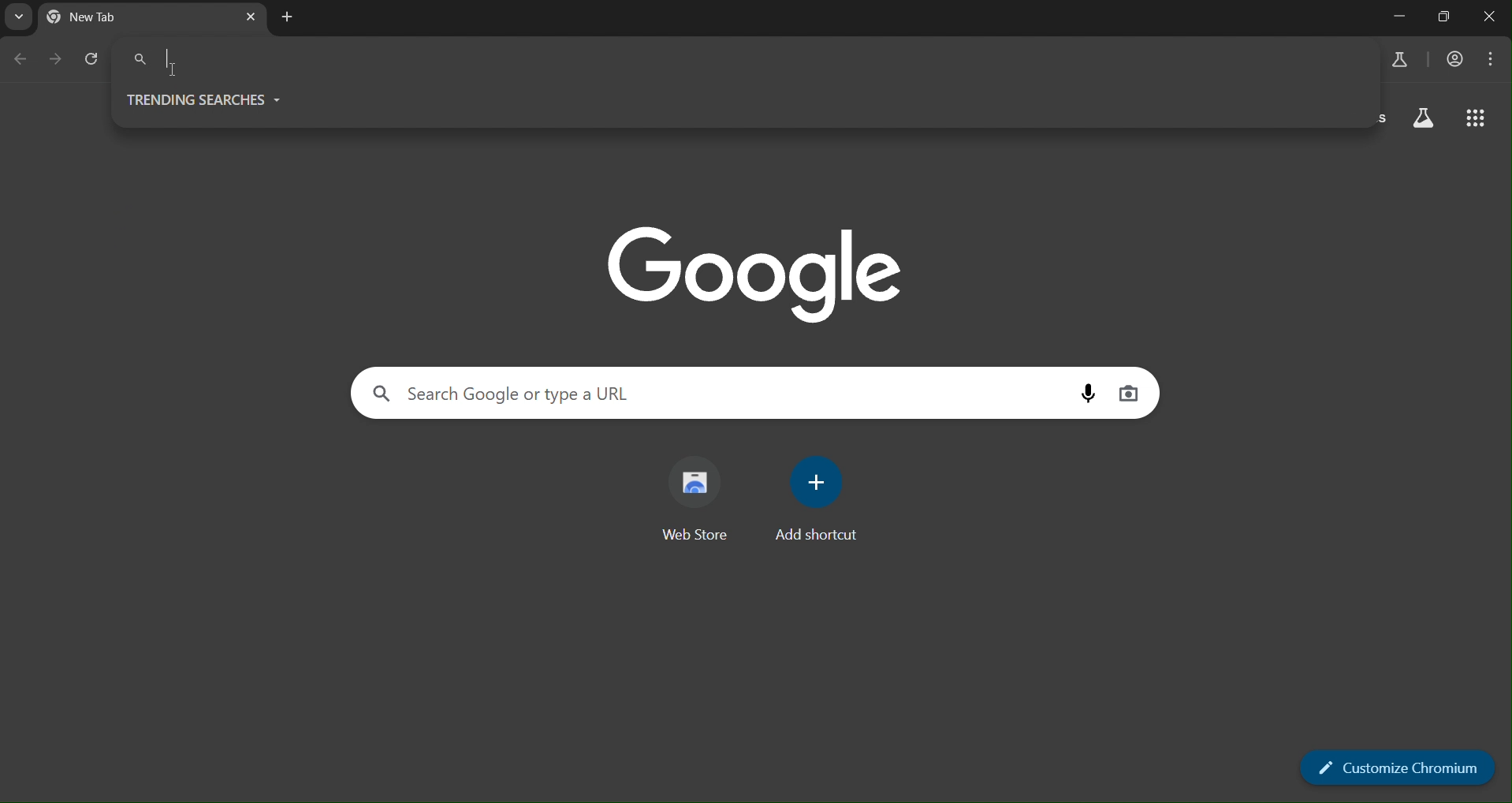  Describe the element at coordinates (1093, 393) in the screenshot. I see `voice search` at that location.